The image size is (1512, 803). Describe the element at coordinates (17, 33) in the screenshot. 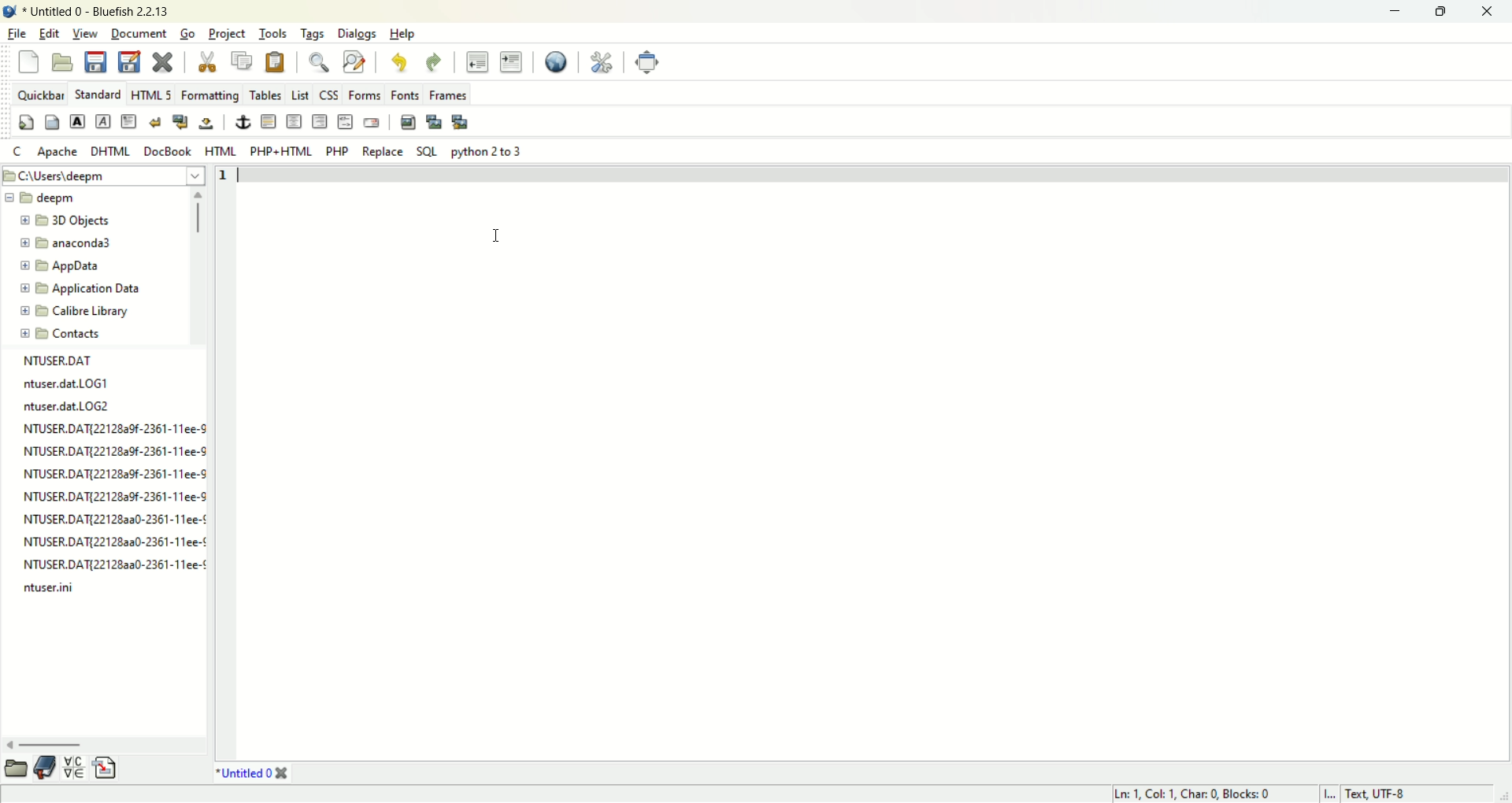

I see `file` at that location.